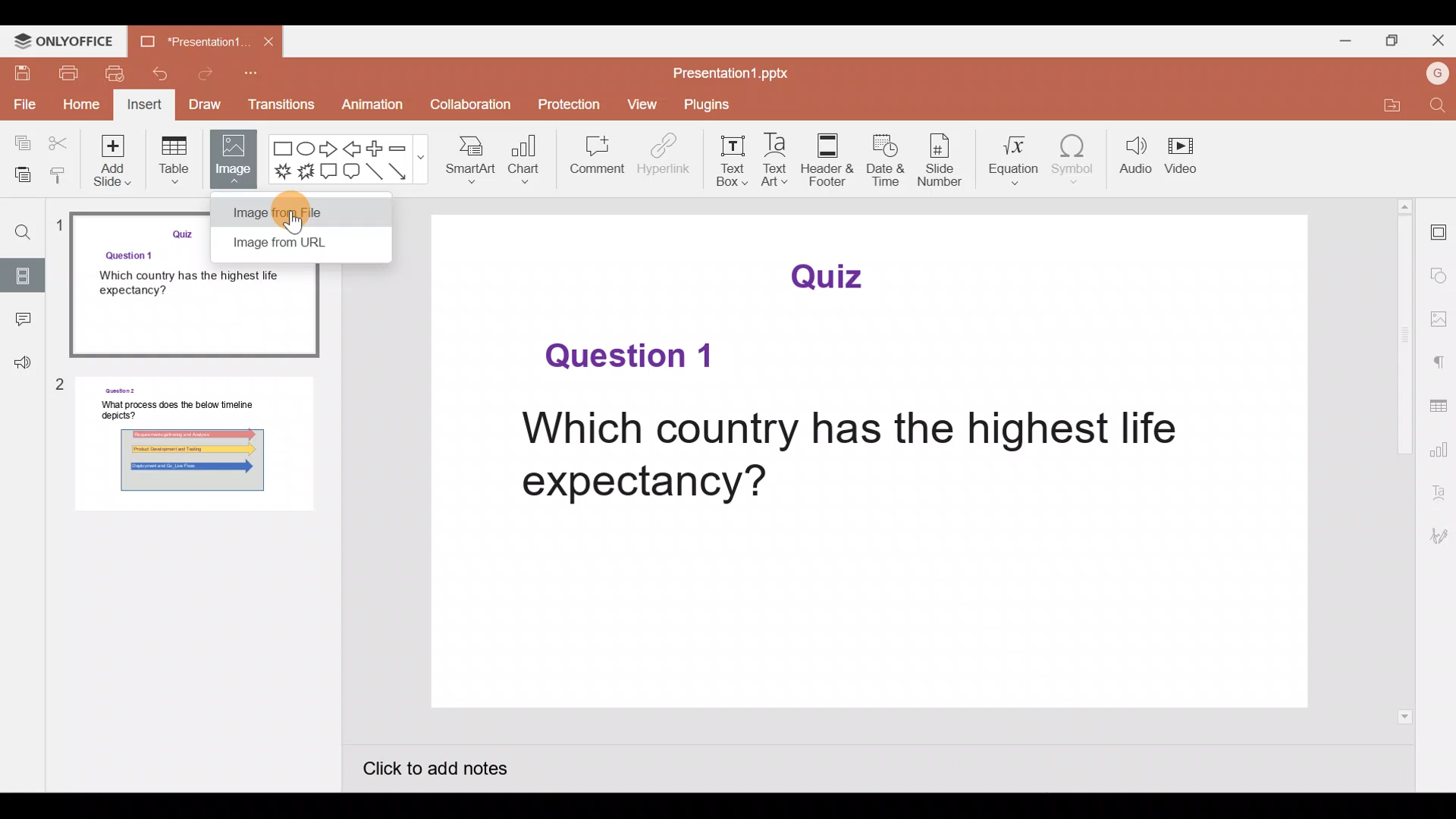 This screenshot has width=1456, height=819. I want to click on Image from file, so click(294, 211).